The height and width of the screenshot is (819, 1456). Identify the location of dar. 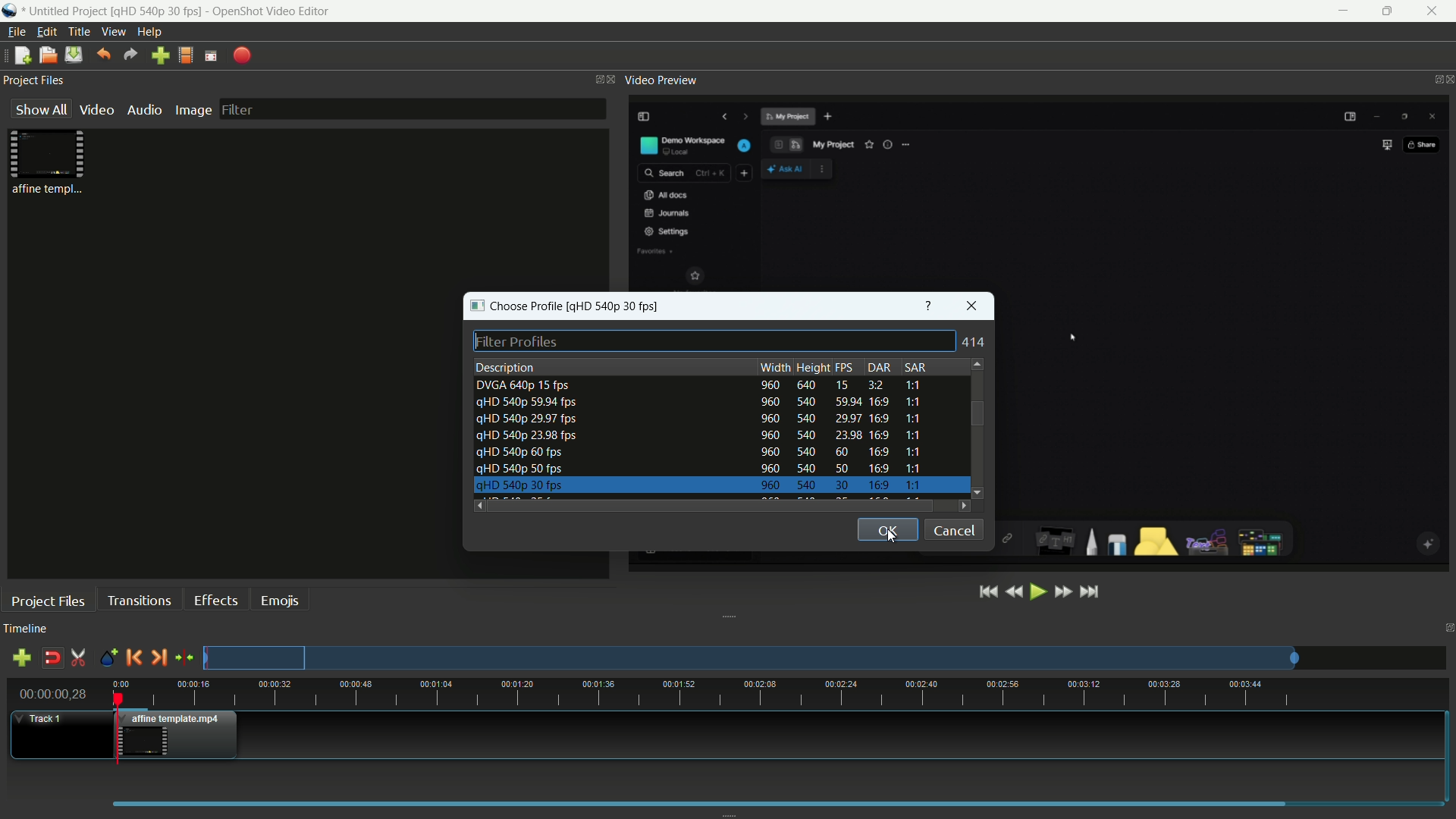
(880, 368).